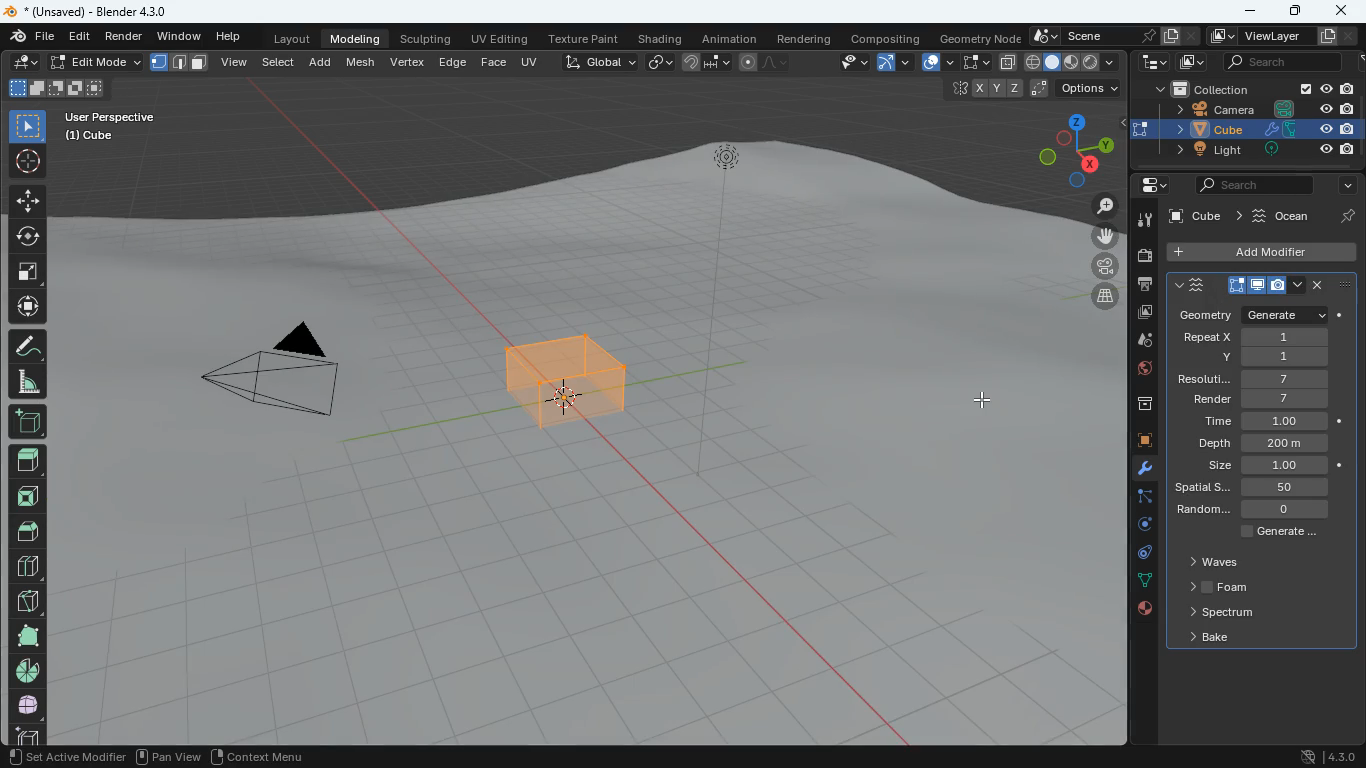 This screenshot has height=768, width=1366. Describe the element at coordinates (766, 62) in the screenshot. I see `draw` at that location.